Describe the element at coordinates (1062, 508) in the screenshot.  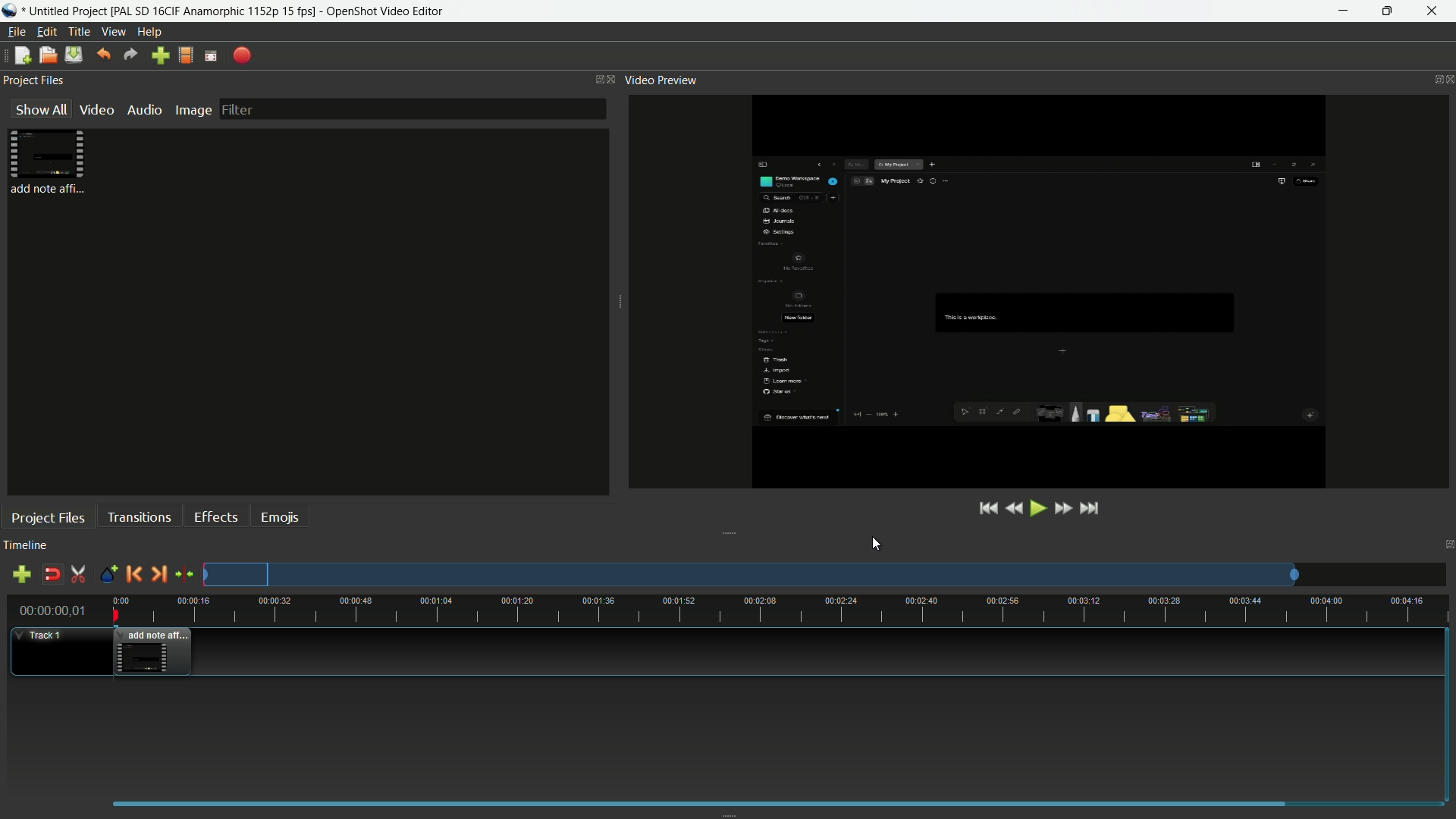
I see `fast forward` at that location.